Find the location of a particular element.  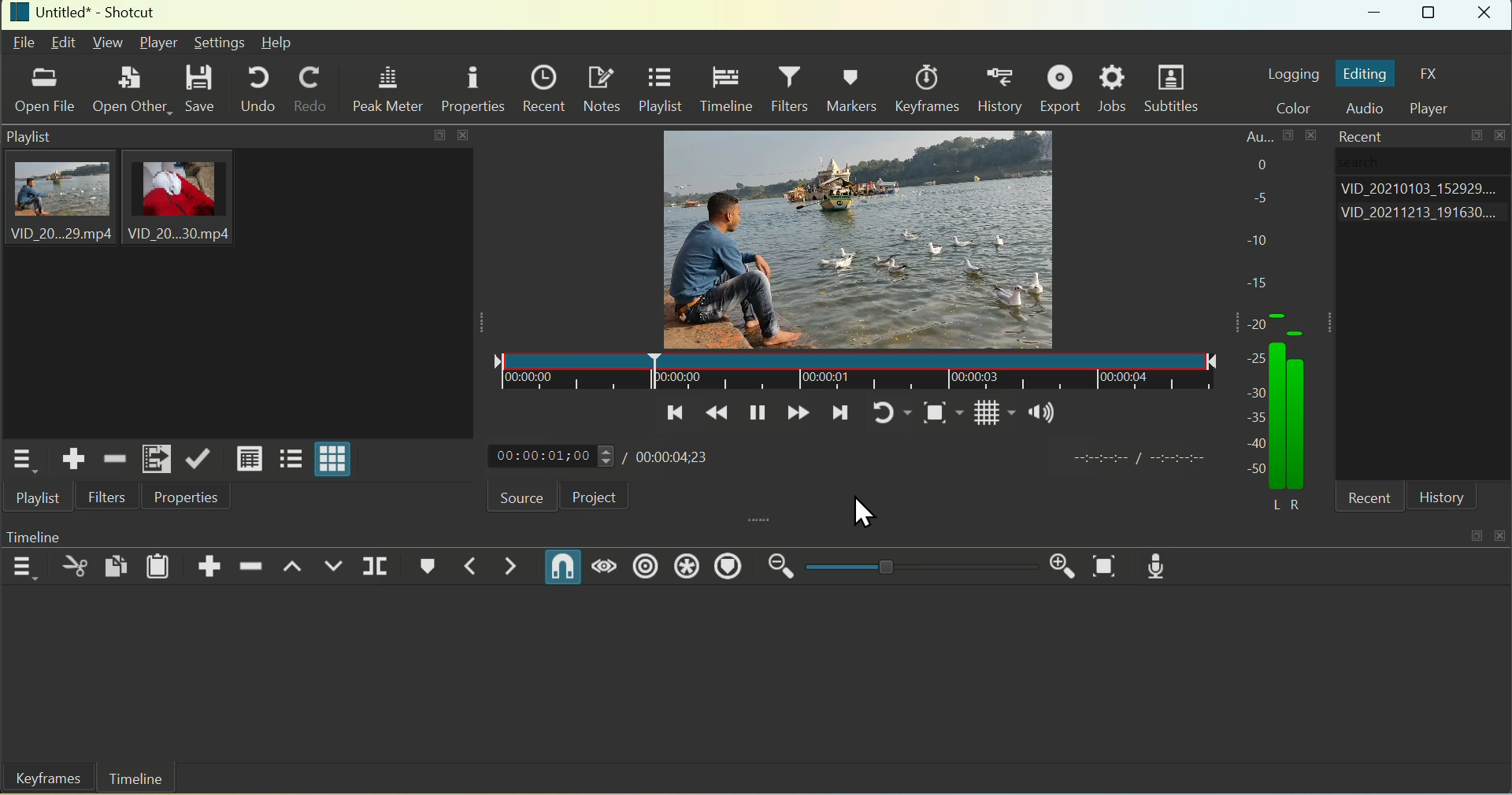

Zoom in is located at coordinates (1058, 563).